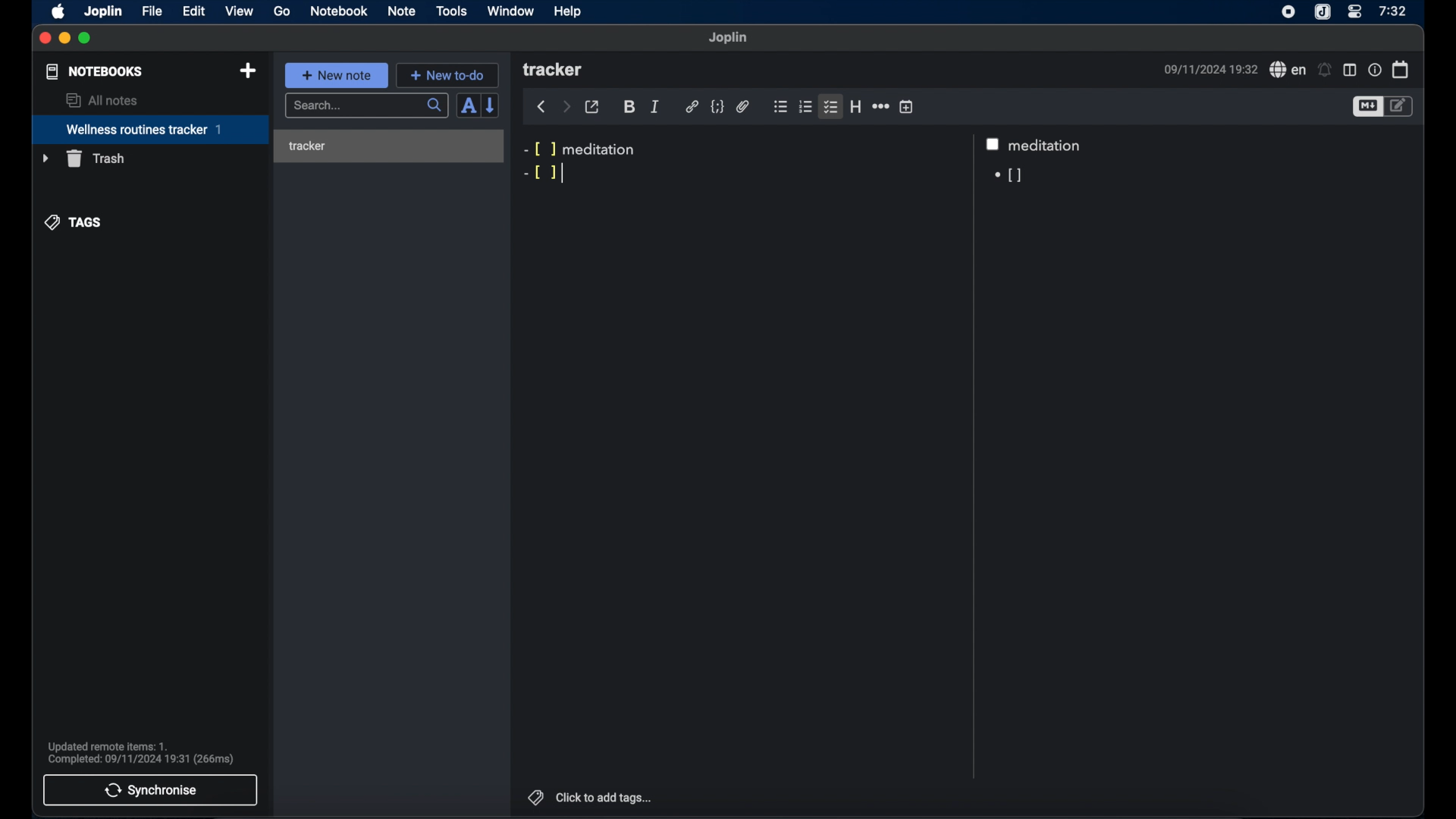 This screenshot has height=819, width=1456. What do you see at coordinates (1401, 107) in the screenshot?
I see `toggle editor` at bounding box center [1401, 107].